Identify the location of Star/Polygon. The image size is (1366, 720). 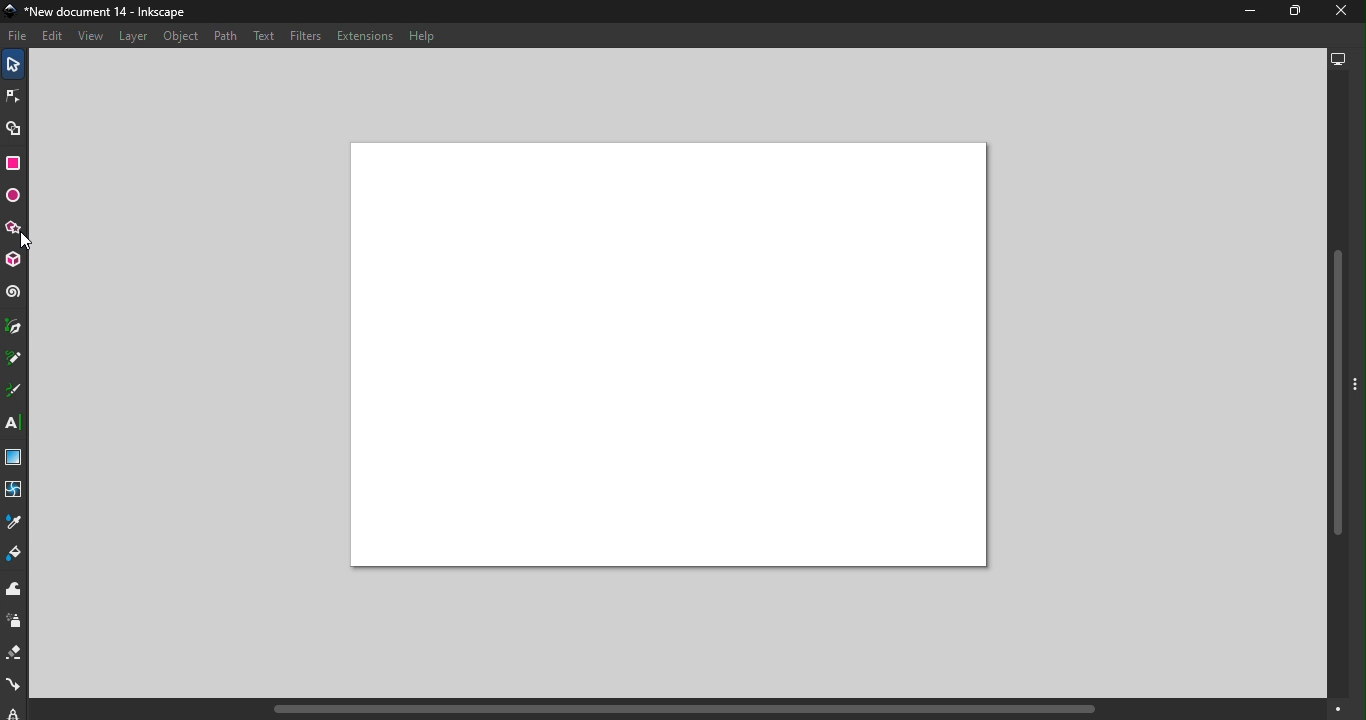
(14, 230).